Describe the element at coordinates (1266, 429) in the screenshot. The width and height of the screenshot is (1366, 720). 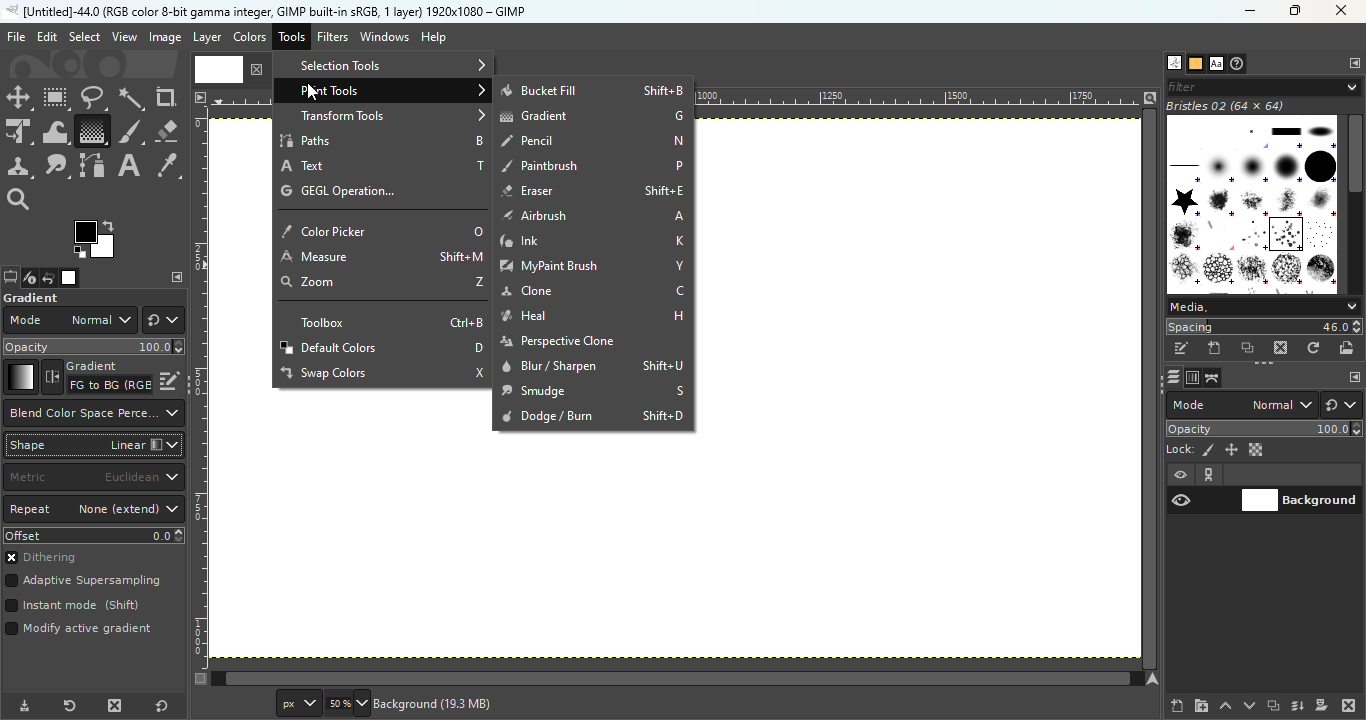
I see `Opacity` at that location.